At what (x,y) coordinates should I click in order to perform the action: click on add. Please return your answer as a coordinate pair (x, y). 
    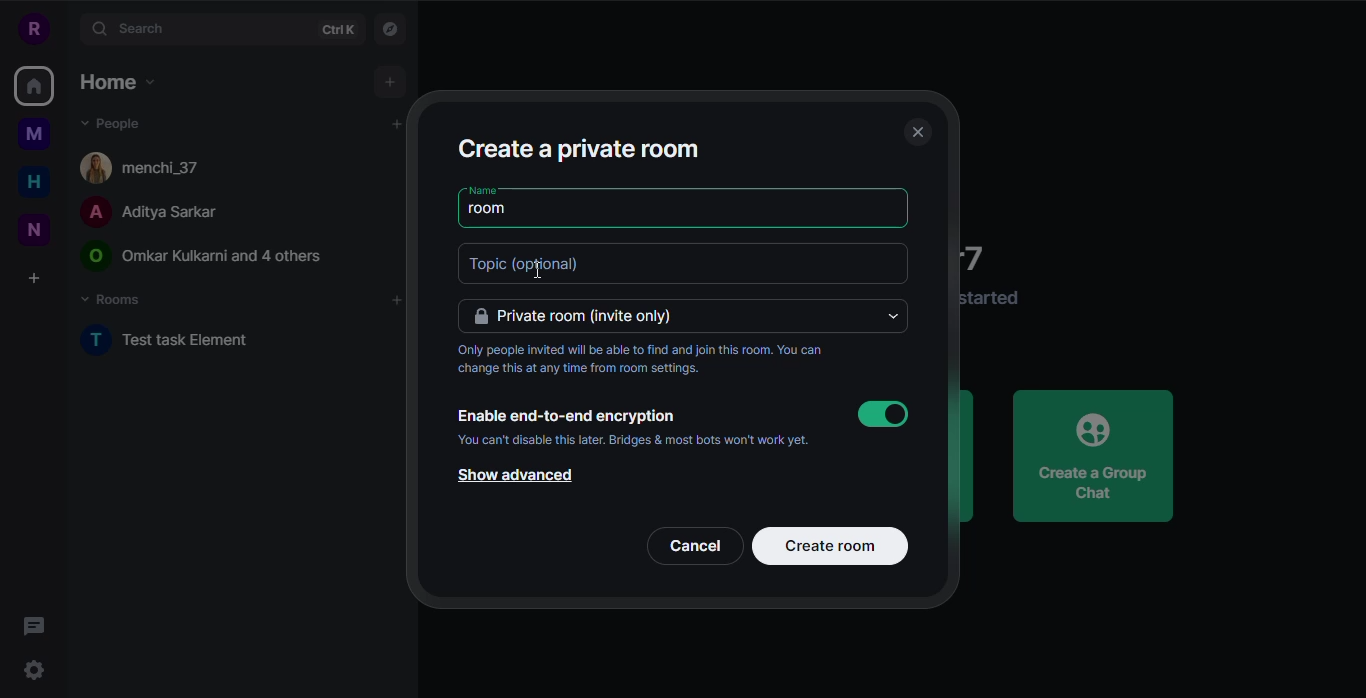
    Looking at the image, I should click on (383, 127).